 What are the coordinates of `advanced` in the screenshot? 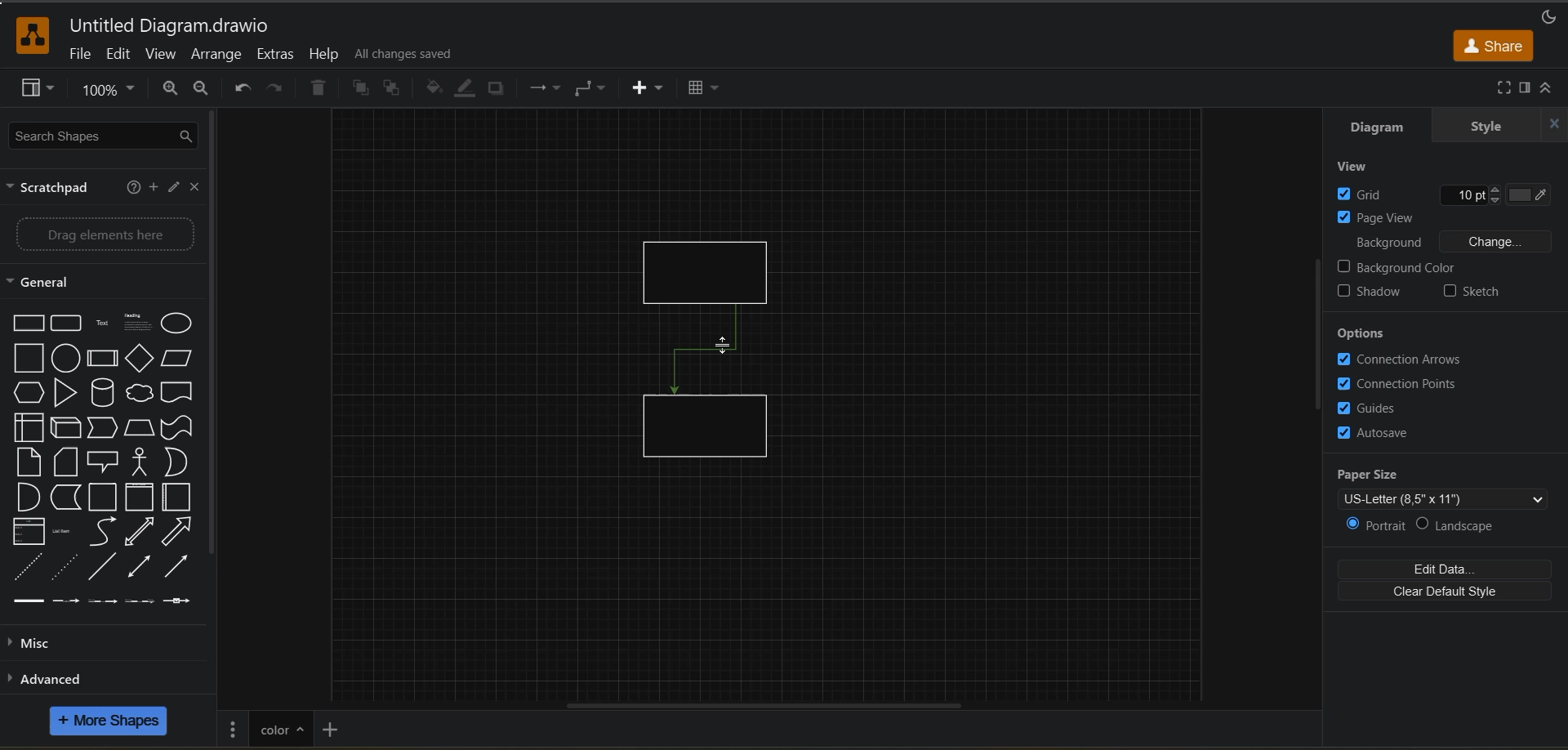 It's located at (70, 678).